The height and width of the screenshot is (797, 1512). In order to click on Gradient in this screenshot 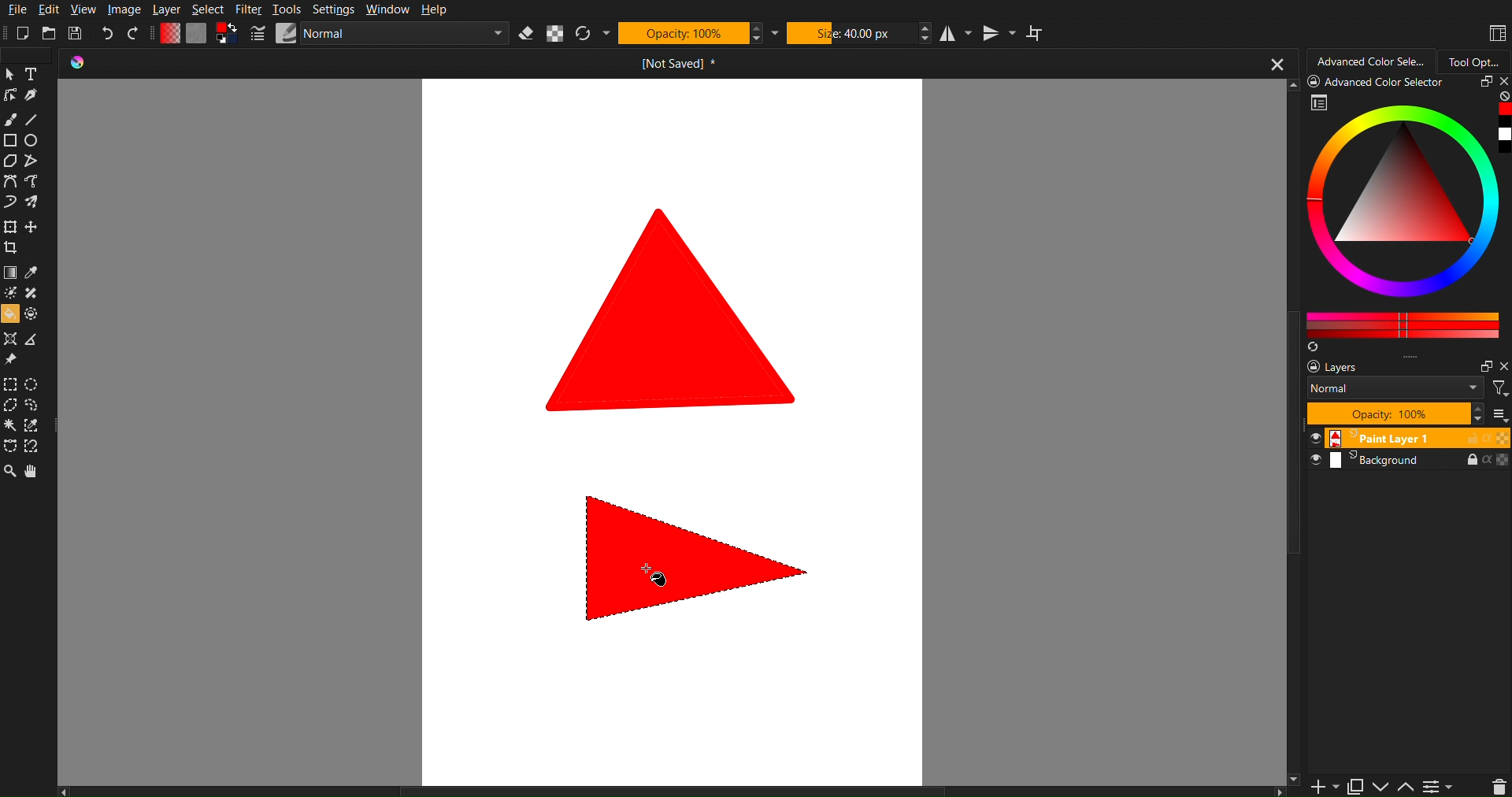, I will do `click(9, 274)`.